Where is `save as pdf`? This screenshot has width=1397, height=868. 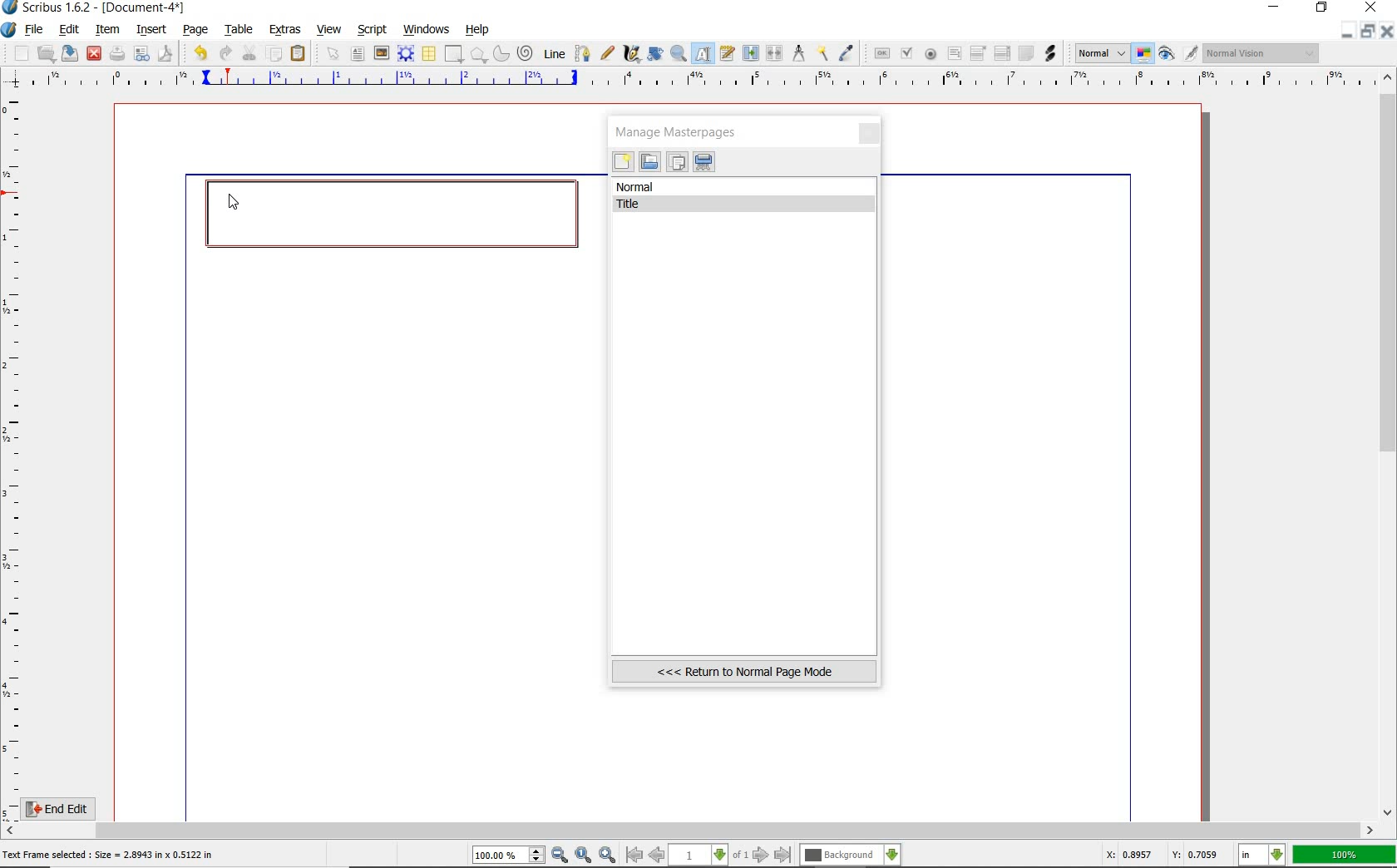
save as pdf is located at coordinates (164, 53).